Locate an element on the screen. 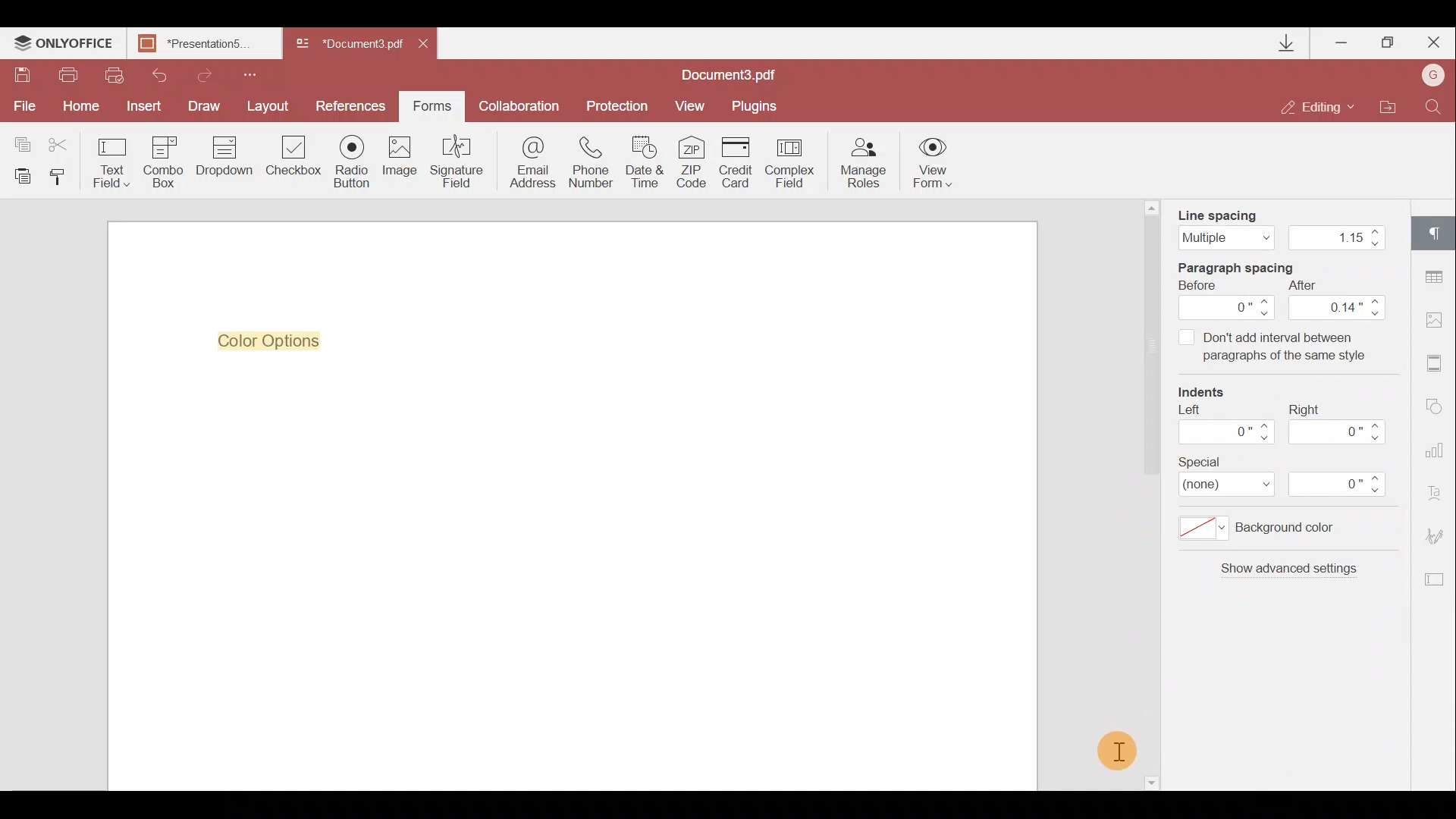 This screenshot has height=819, width=1456. Copy is located at coordinates (18, 139).